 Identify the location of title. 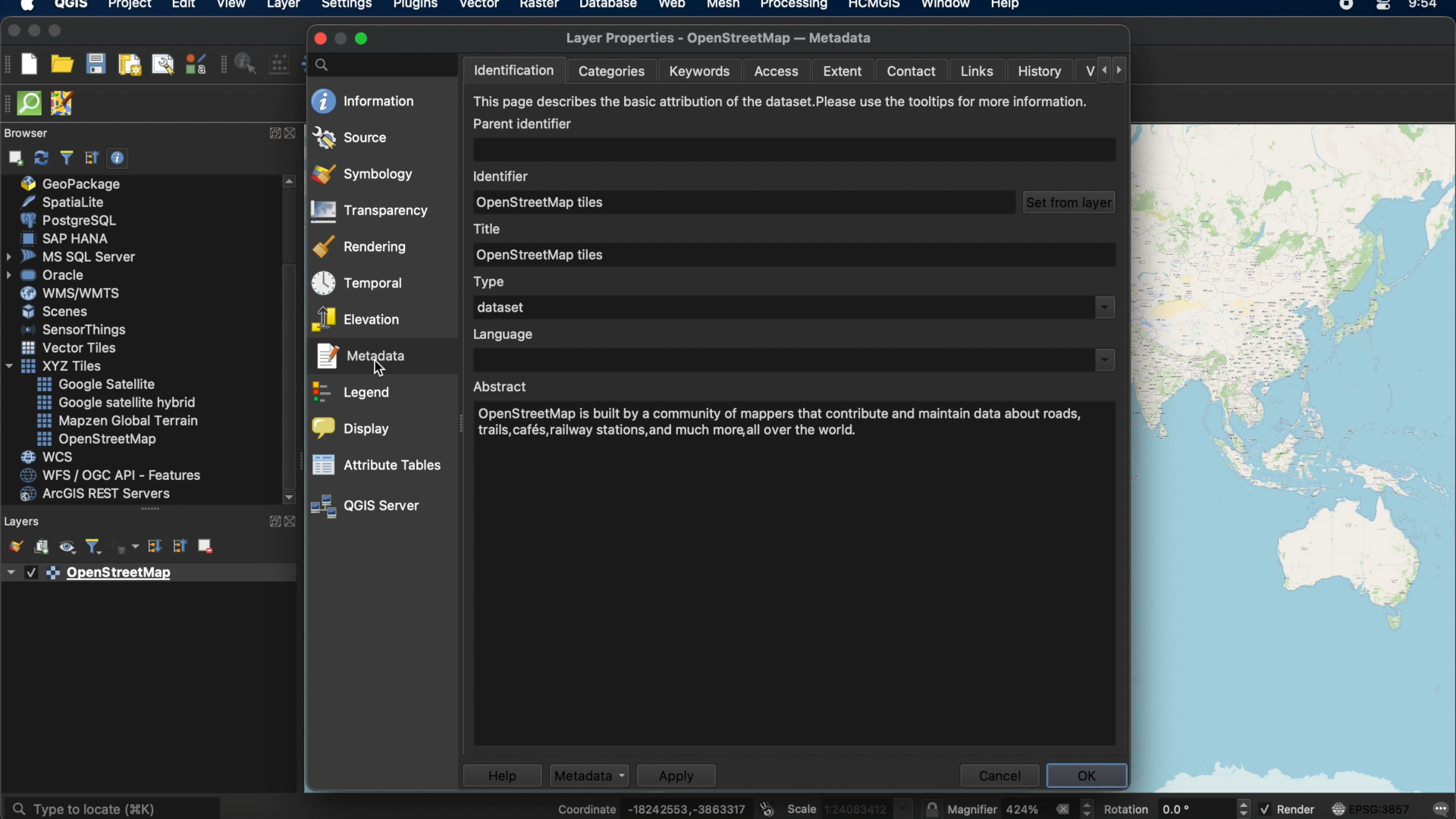
(490, 227).